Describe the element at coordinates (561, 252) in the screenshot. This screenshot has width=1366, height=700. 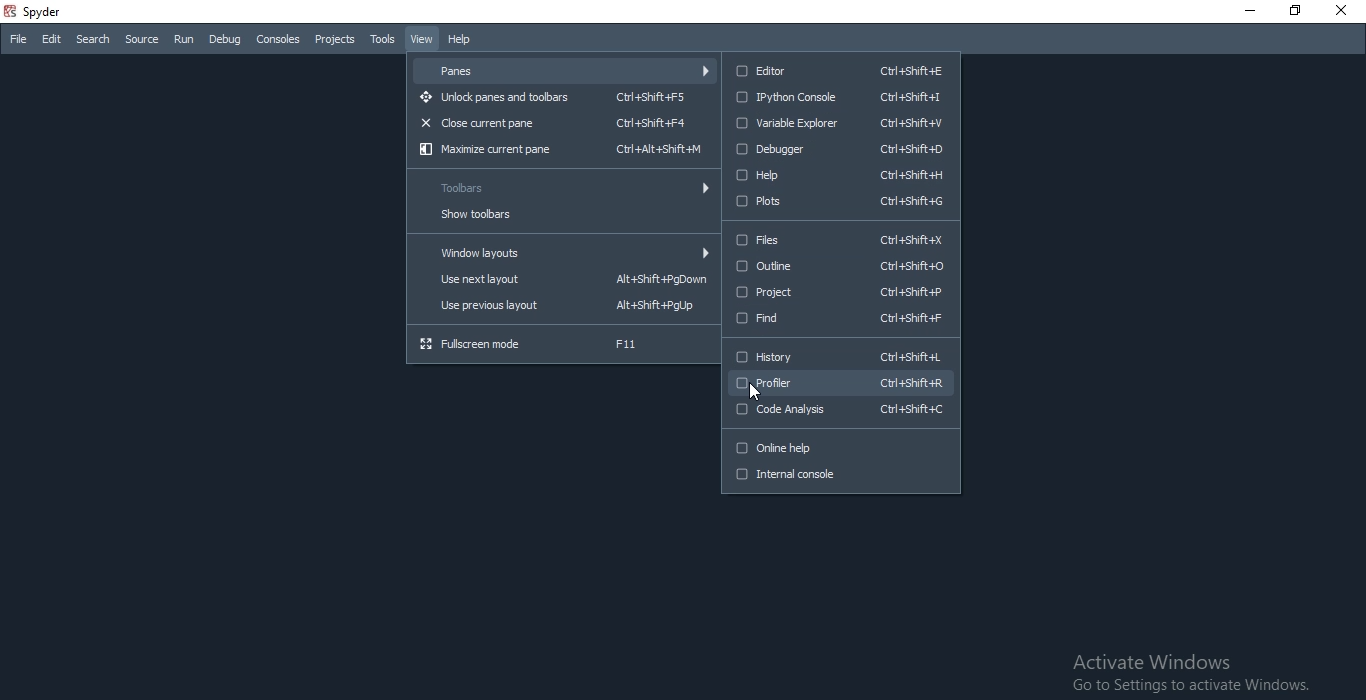
I see `Window layouts` at that location.